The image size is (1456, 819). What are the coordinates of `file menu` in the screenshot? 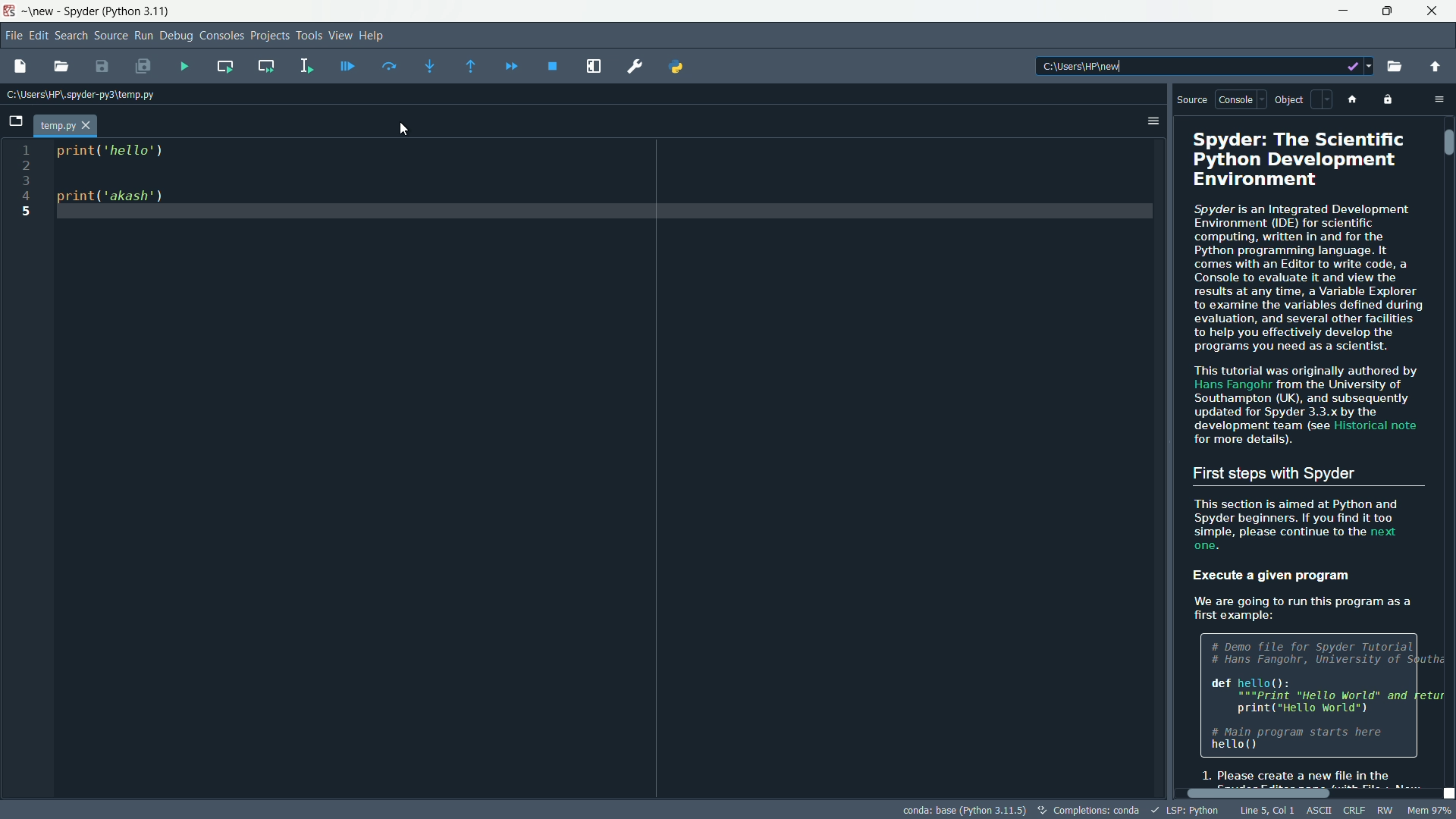 It's located at (15, 34).